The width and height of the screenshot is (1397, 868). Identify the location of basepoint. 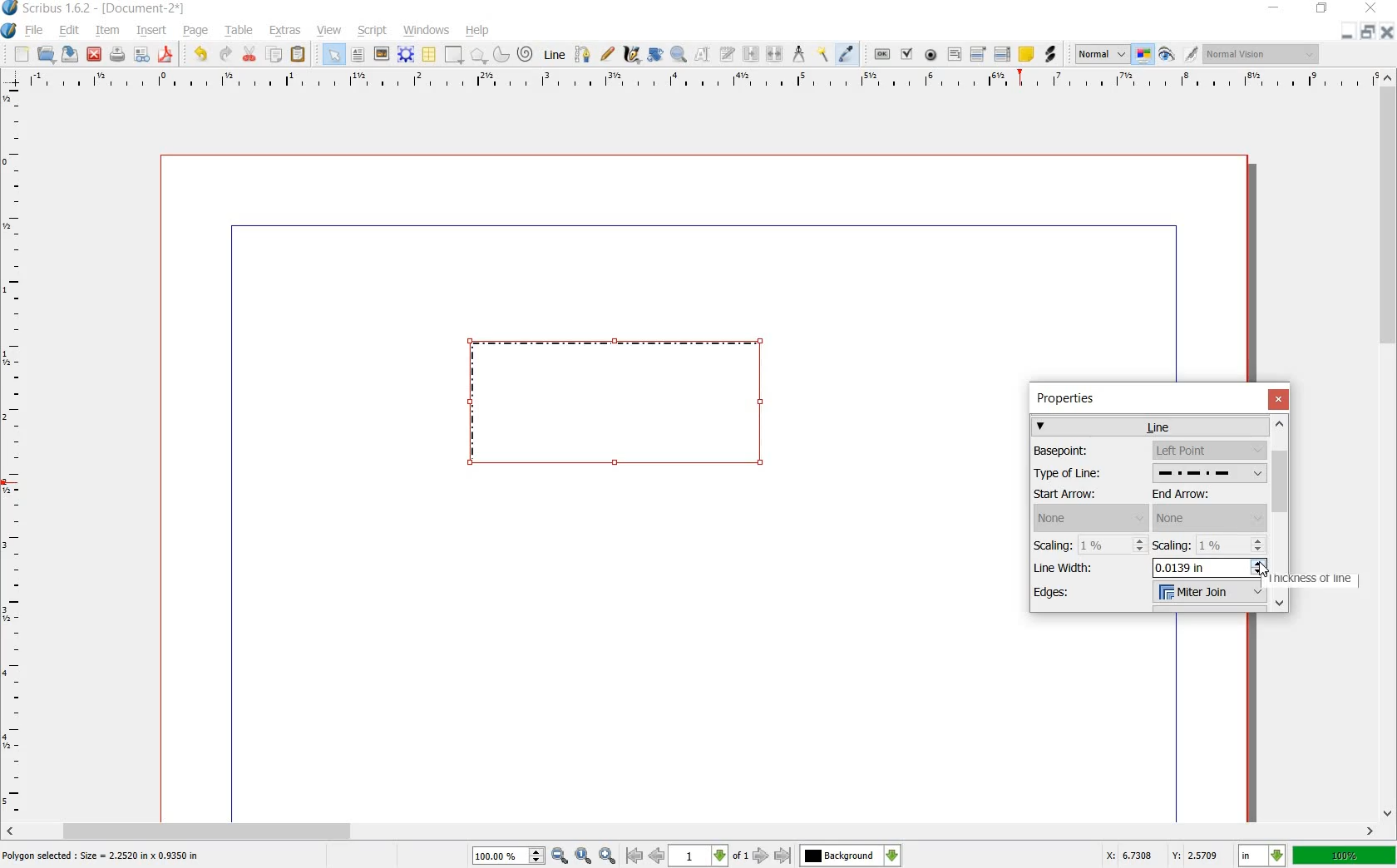
(1209, 451).